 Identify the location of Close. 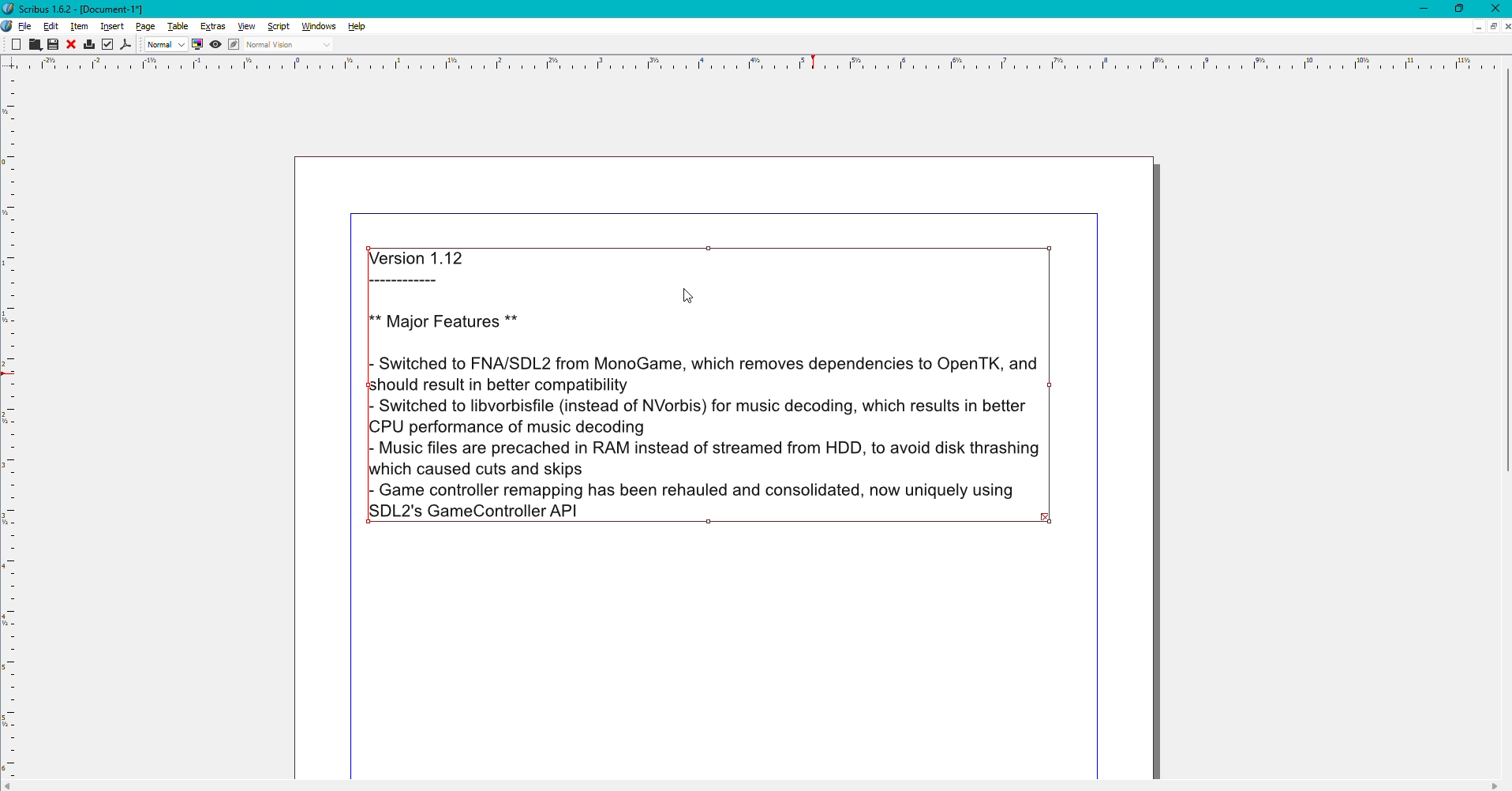
(1497, 9).